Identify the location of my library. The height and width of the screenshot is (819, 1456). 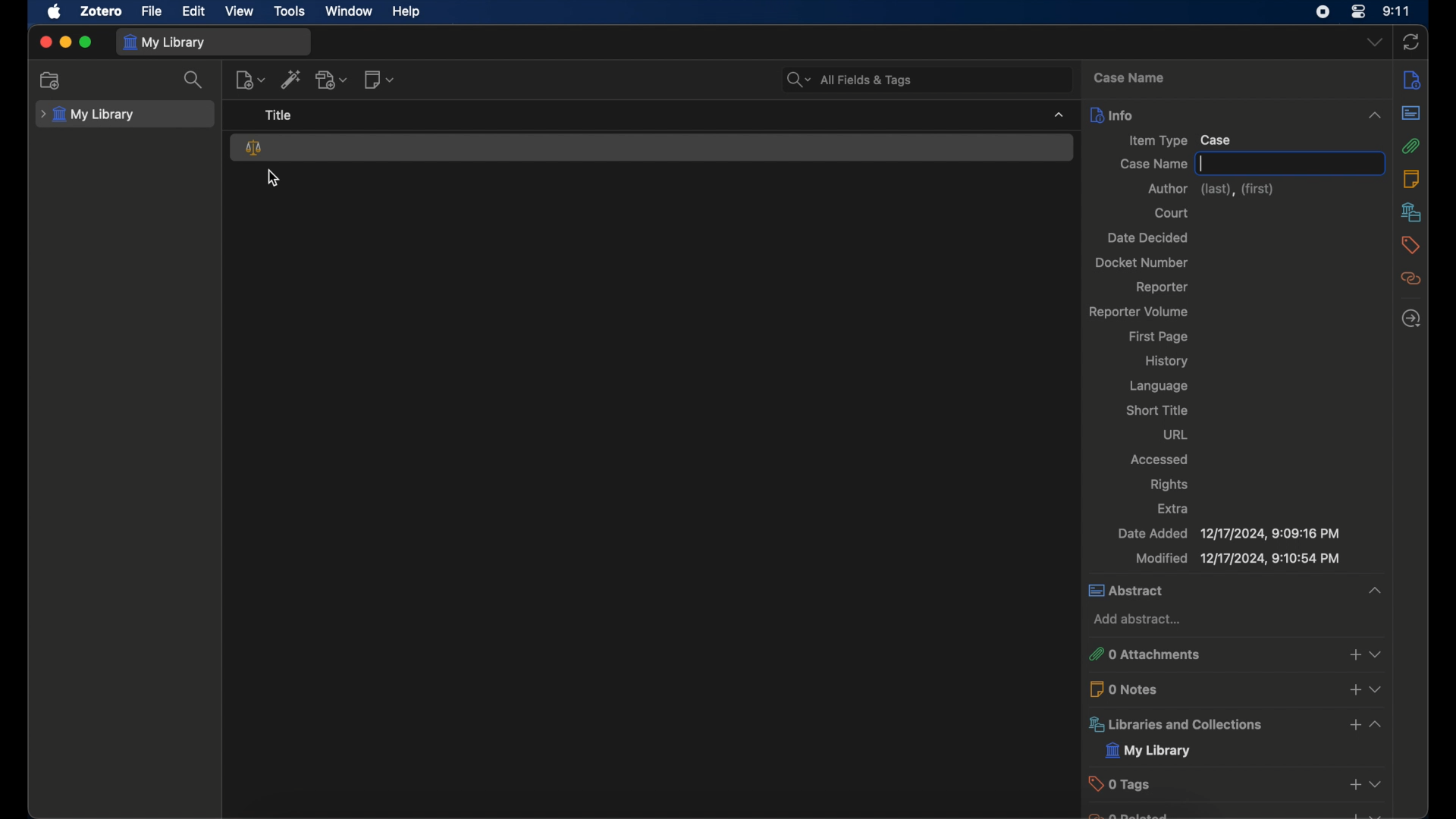
(164, 42).